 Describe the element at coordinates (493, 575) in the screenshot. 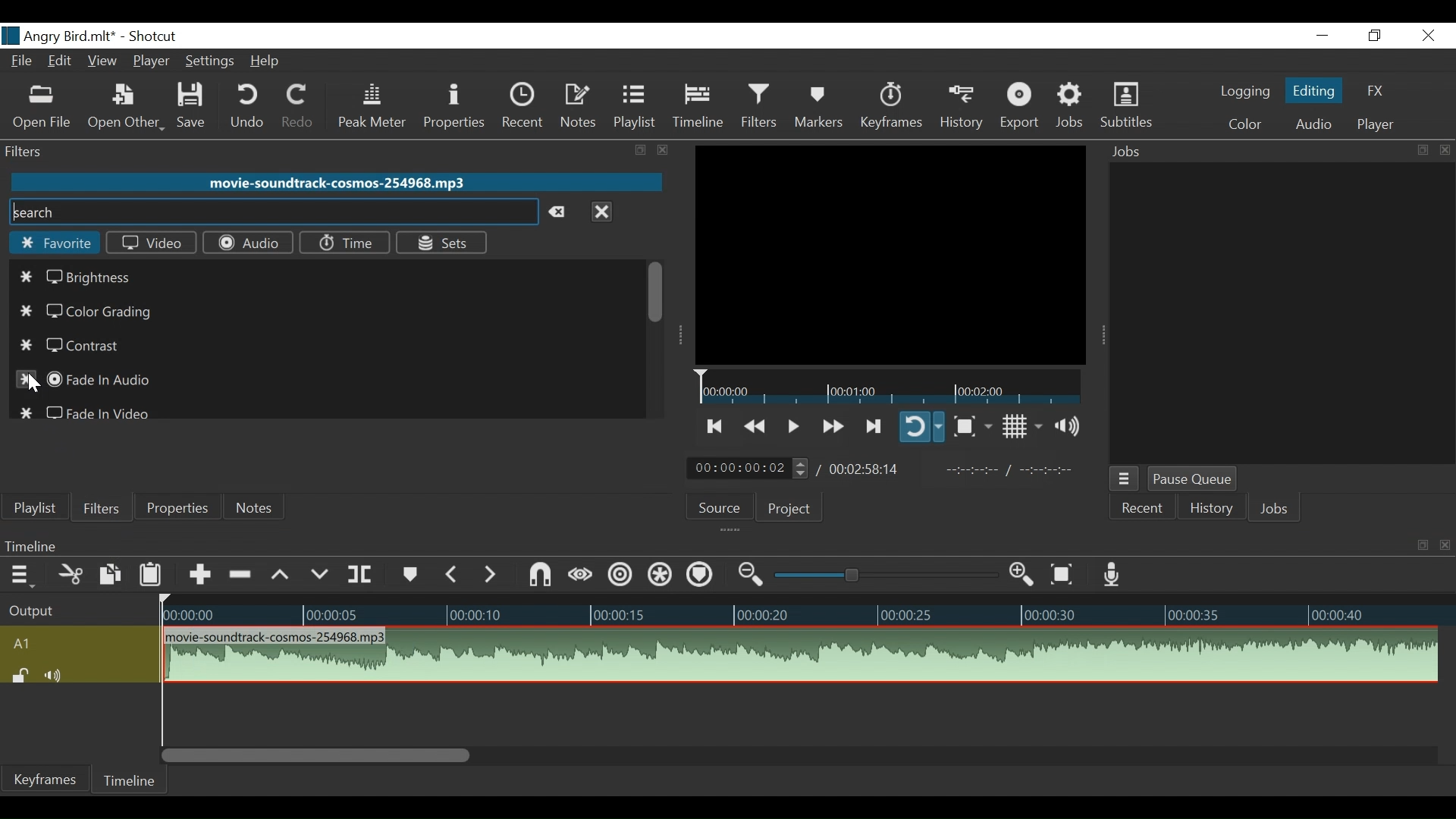

I see `Next Marker` at that location.